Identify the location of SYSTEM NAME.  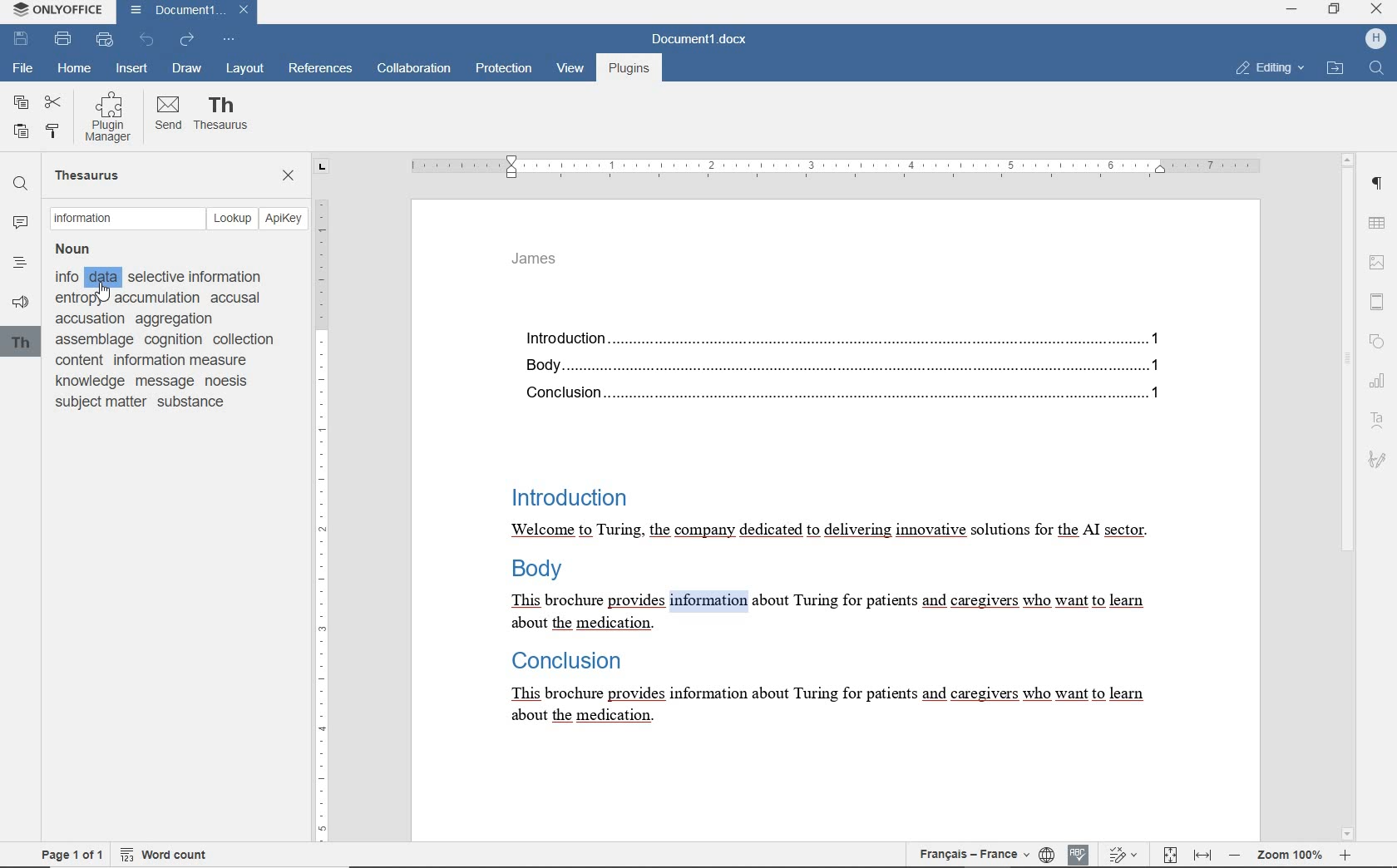
(55, 10).